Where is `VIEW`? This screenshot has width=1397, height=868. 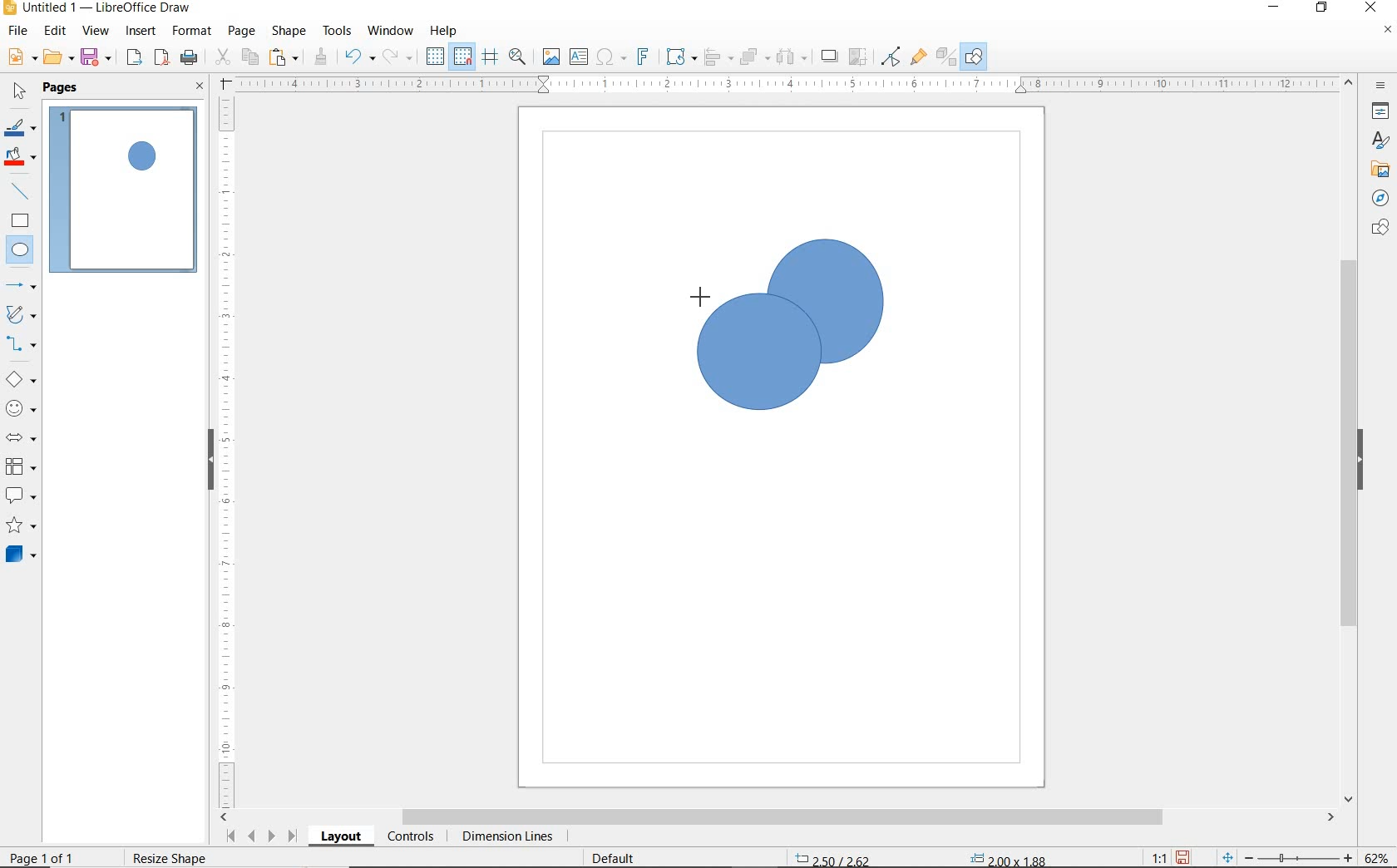
VIEW is located at coordinates (96, 32).